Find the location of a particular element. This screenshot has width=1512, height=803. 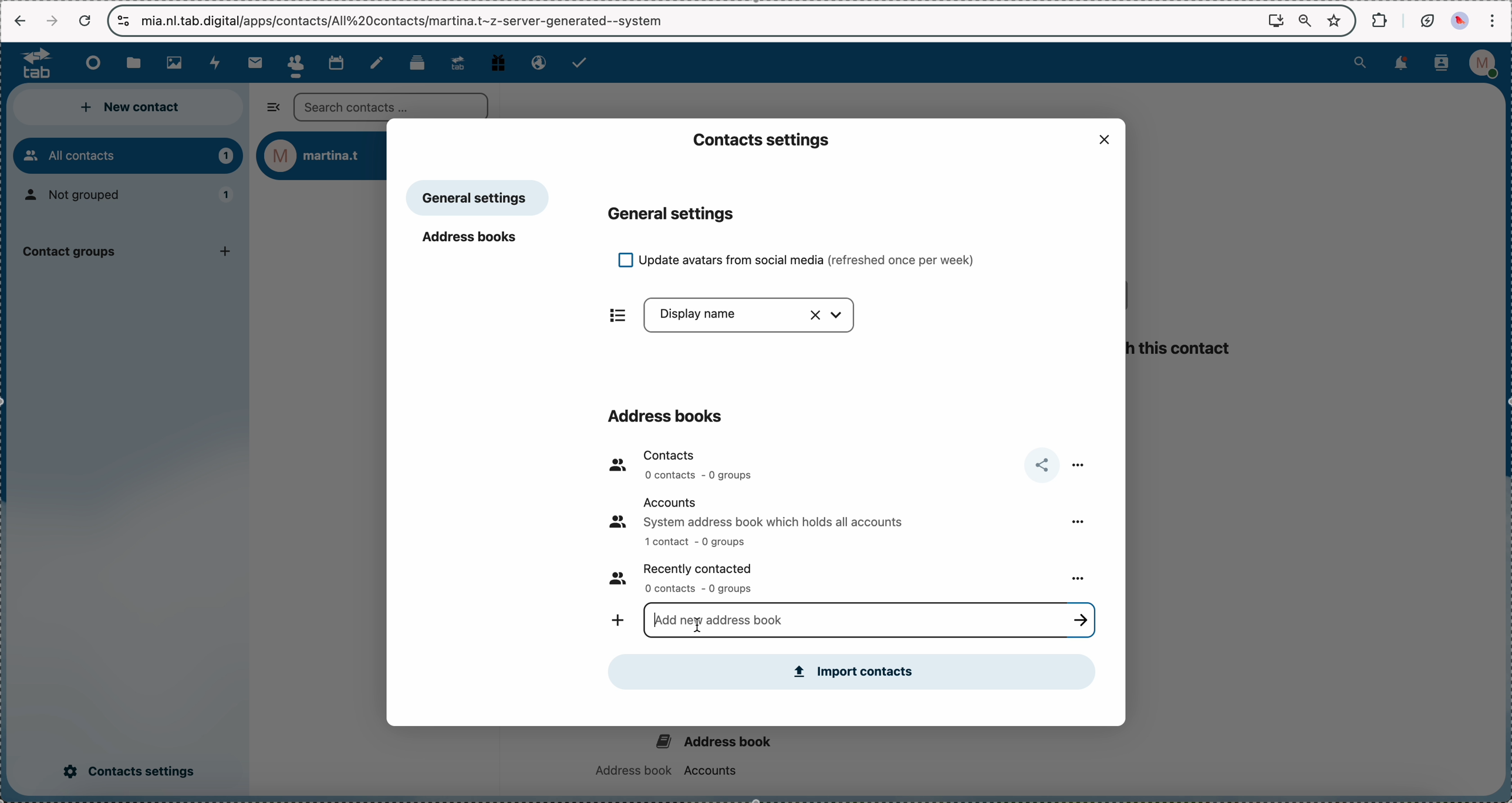

this contact is located at coordinates (1183, 349).